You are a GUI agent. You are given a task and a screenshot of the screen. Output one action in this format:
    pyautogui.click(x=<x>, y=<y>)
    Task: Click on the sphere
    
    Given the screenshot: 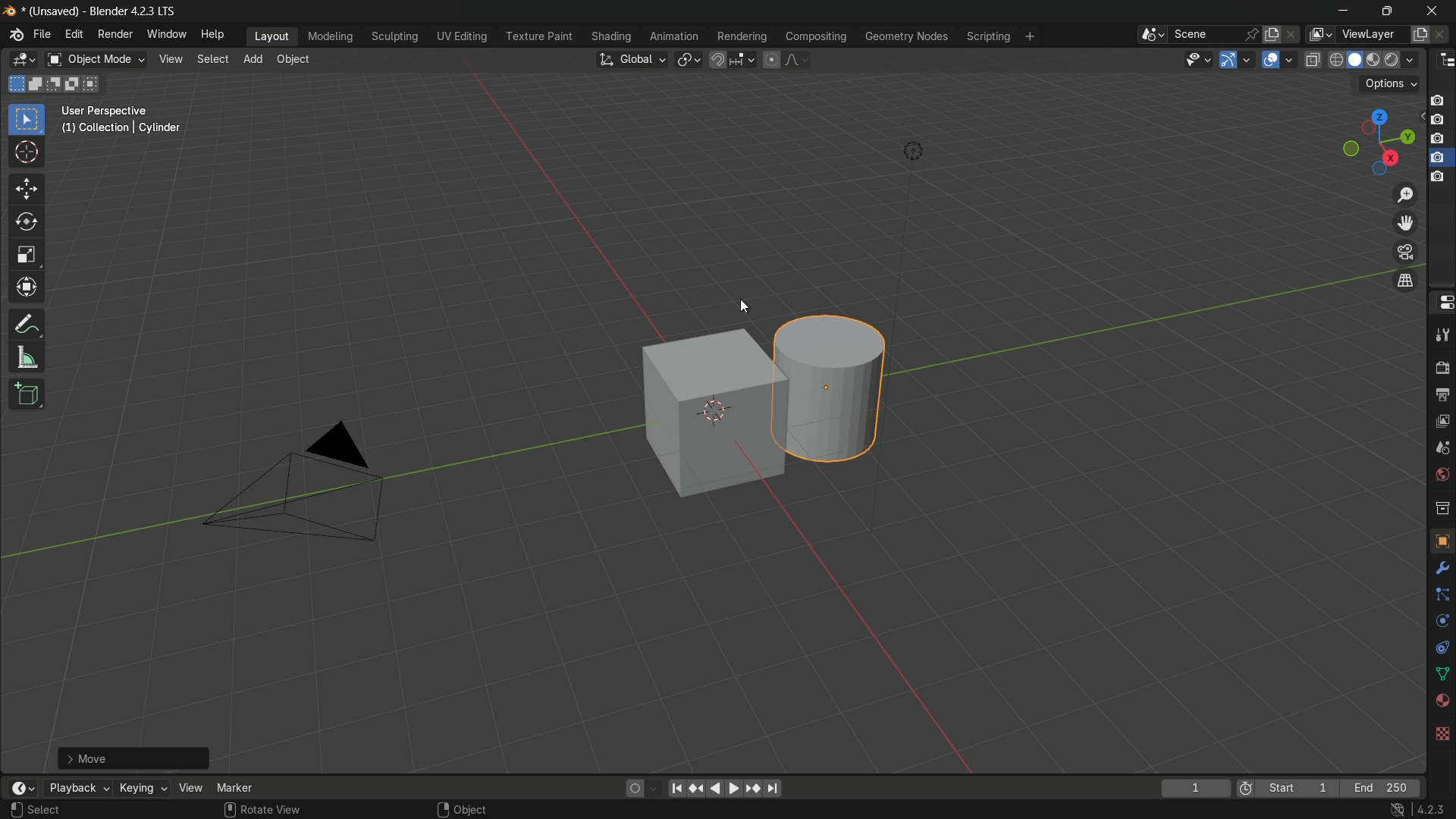 What is the action you would take?
    pyautogui.click(x=1439, y=701)
    